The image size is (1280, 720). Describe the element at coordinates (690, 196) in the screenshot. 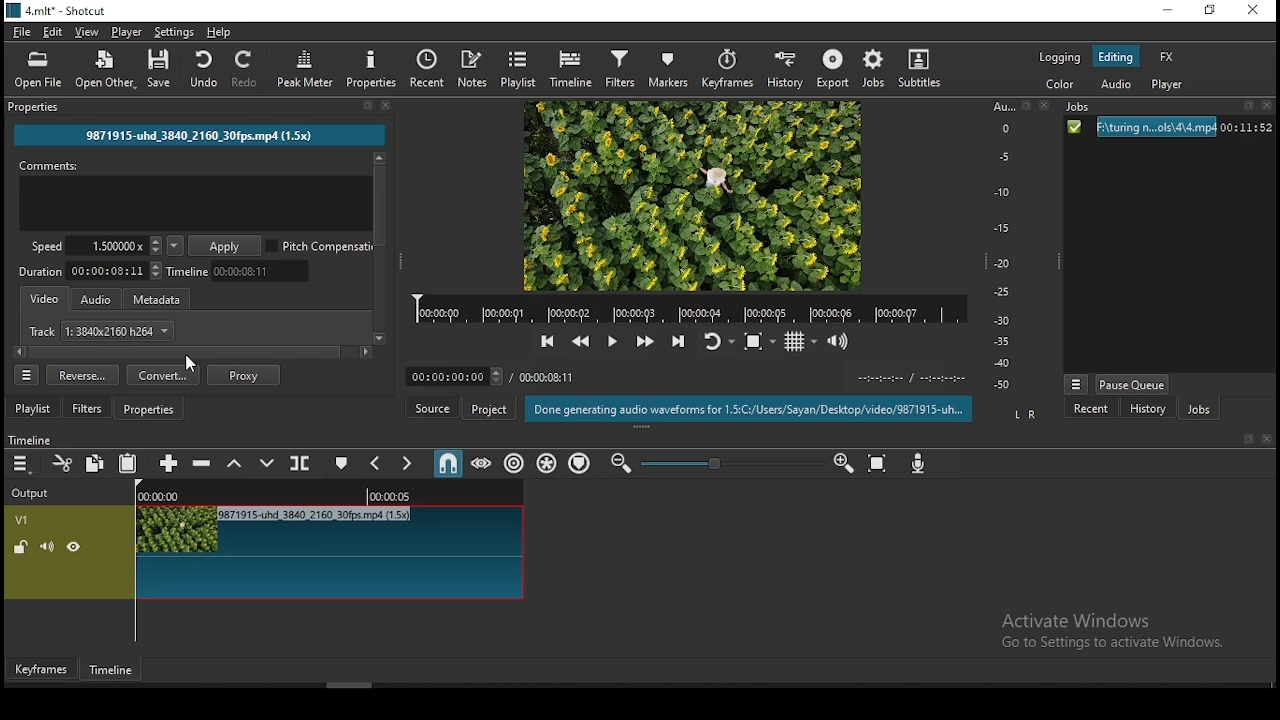

I see `video preview` at that location.